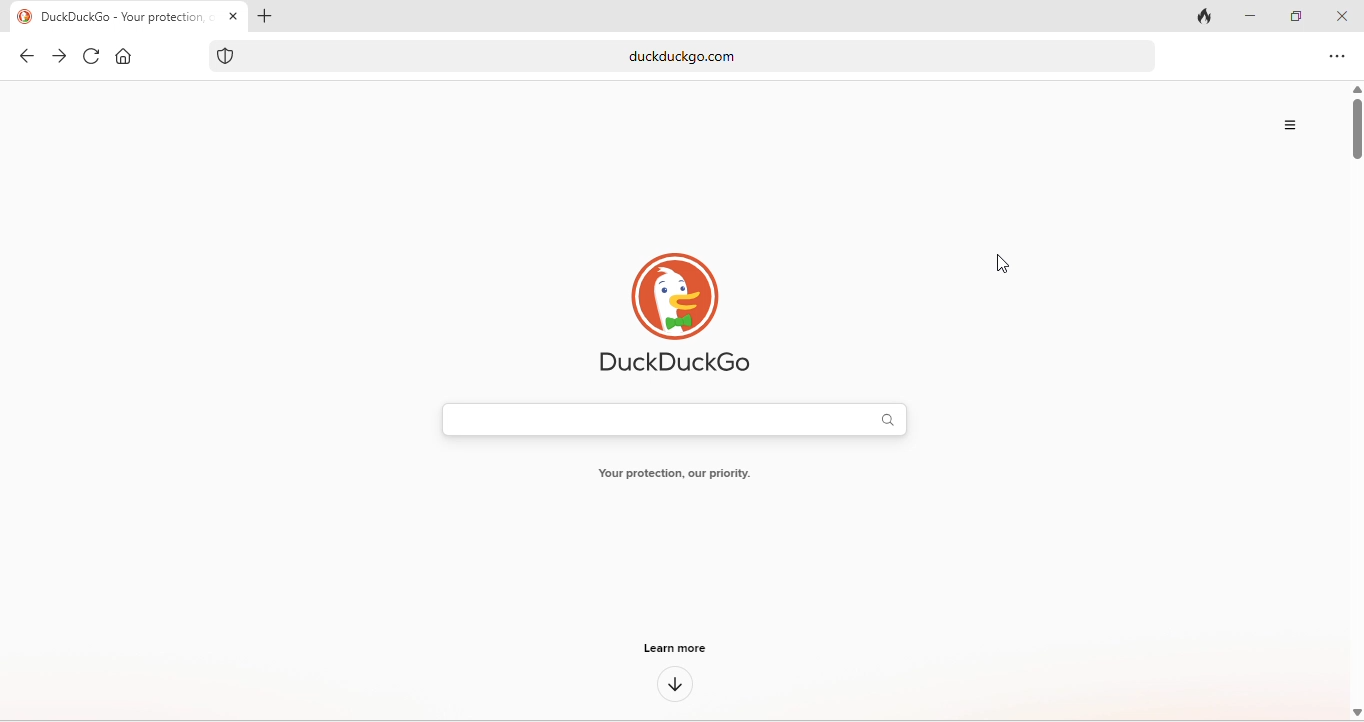 This screenshot has width=1364, height=722. What do you see at coordinates (1294, 16) in the screenshot?
I see `maximize` at bounding box center [1294, 16].